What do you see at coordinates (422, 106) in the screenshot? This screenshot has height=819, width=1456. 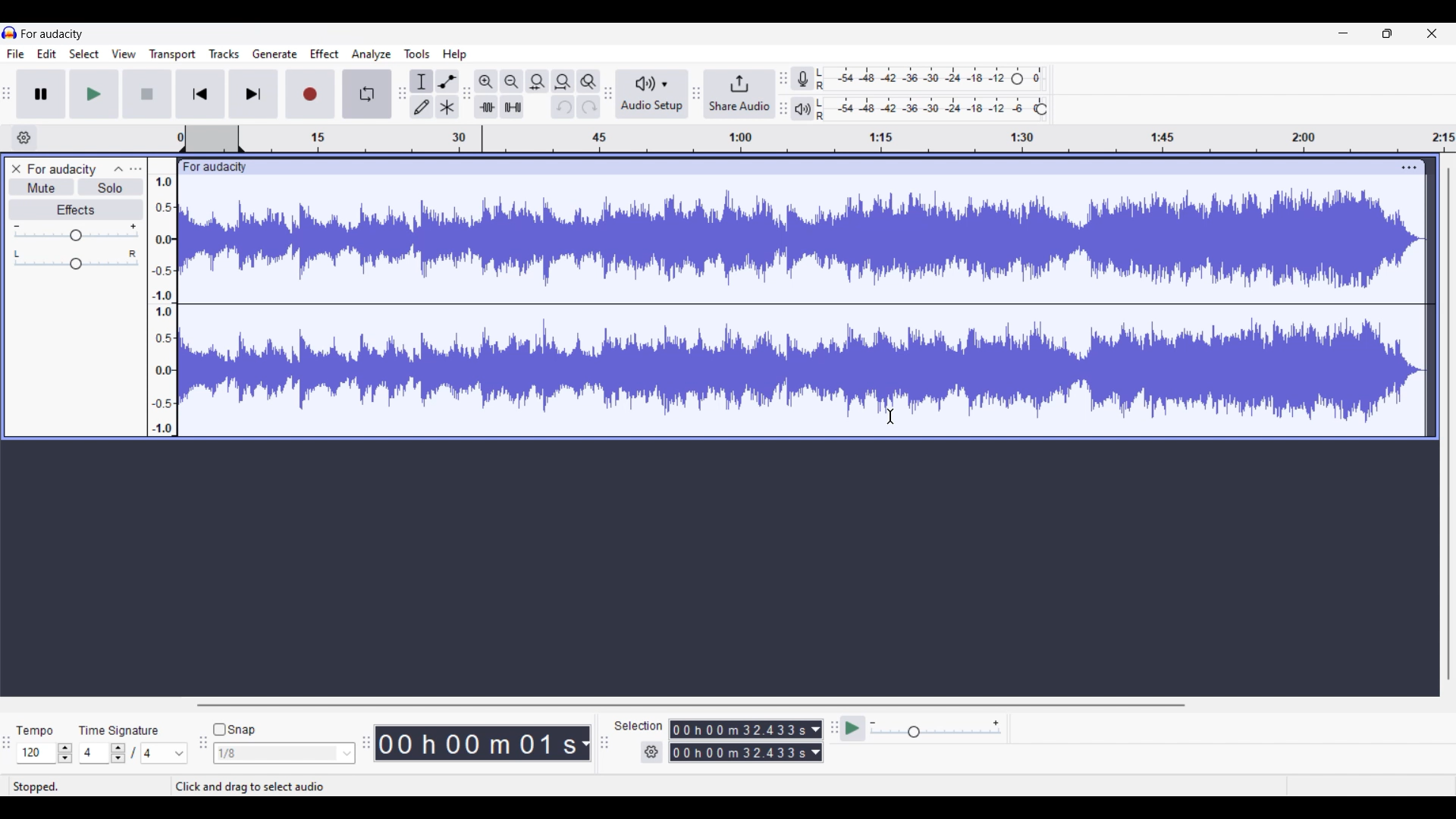 I see `Draw tool` at bounding box center [422, 106].